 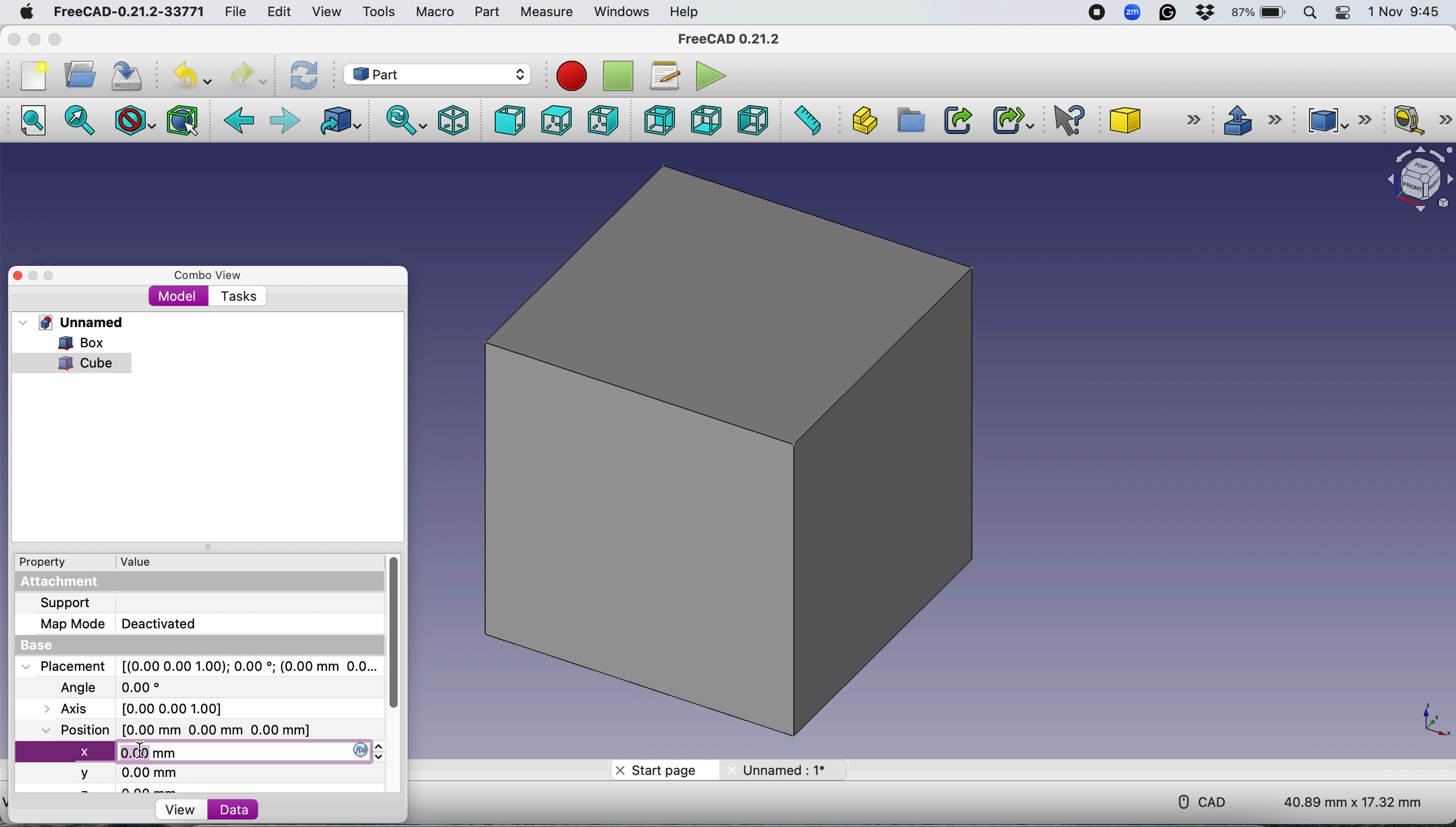 What do you see at coordinates (549, 13) in the screenshot?
I see `Measure` at bounding box center [549, 13].